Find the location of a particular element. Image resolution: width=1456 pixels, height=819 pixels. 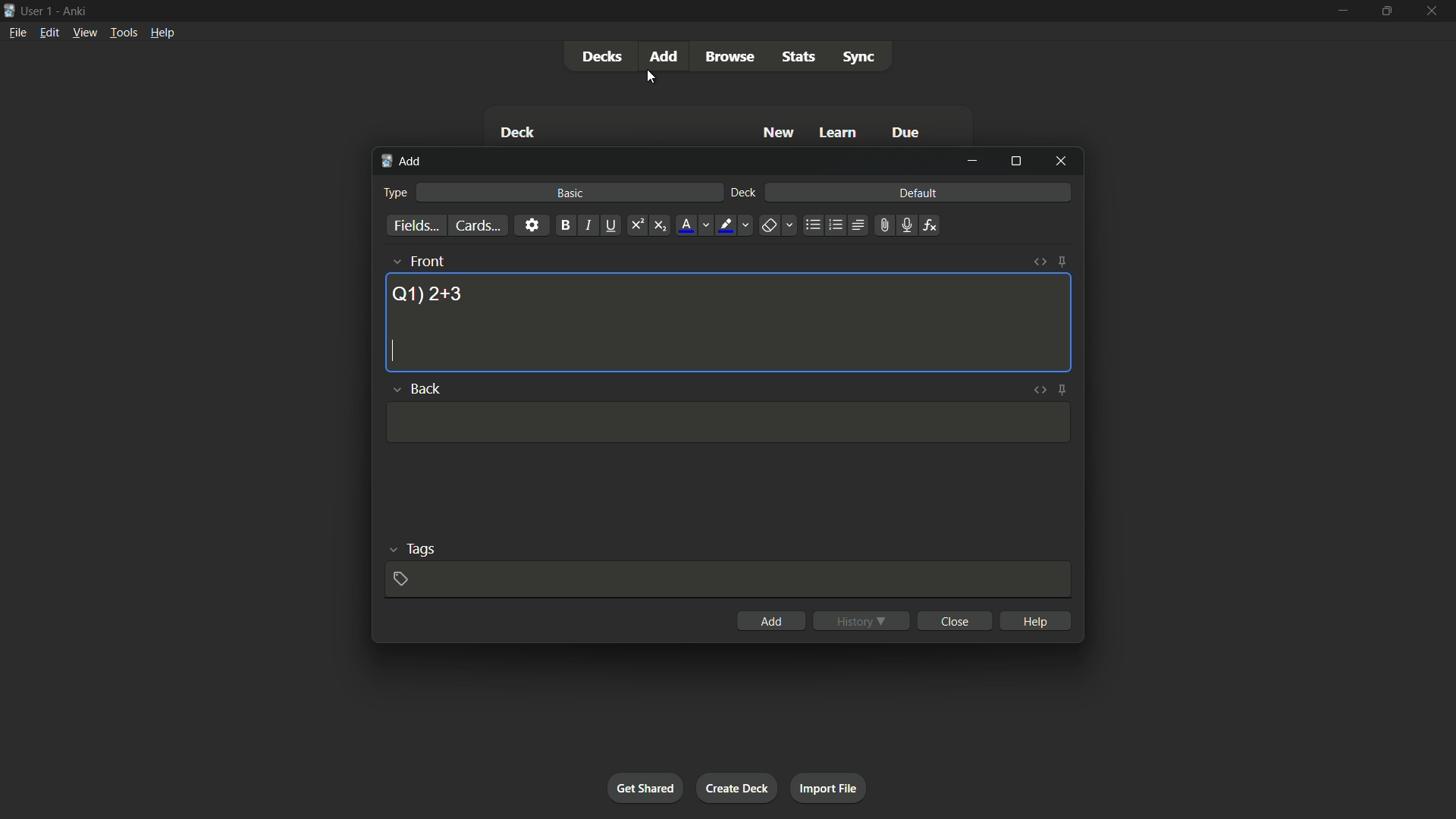

highlight text is located at coordinates (723, 226).